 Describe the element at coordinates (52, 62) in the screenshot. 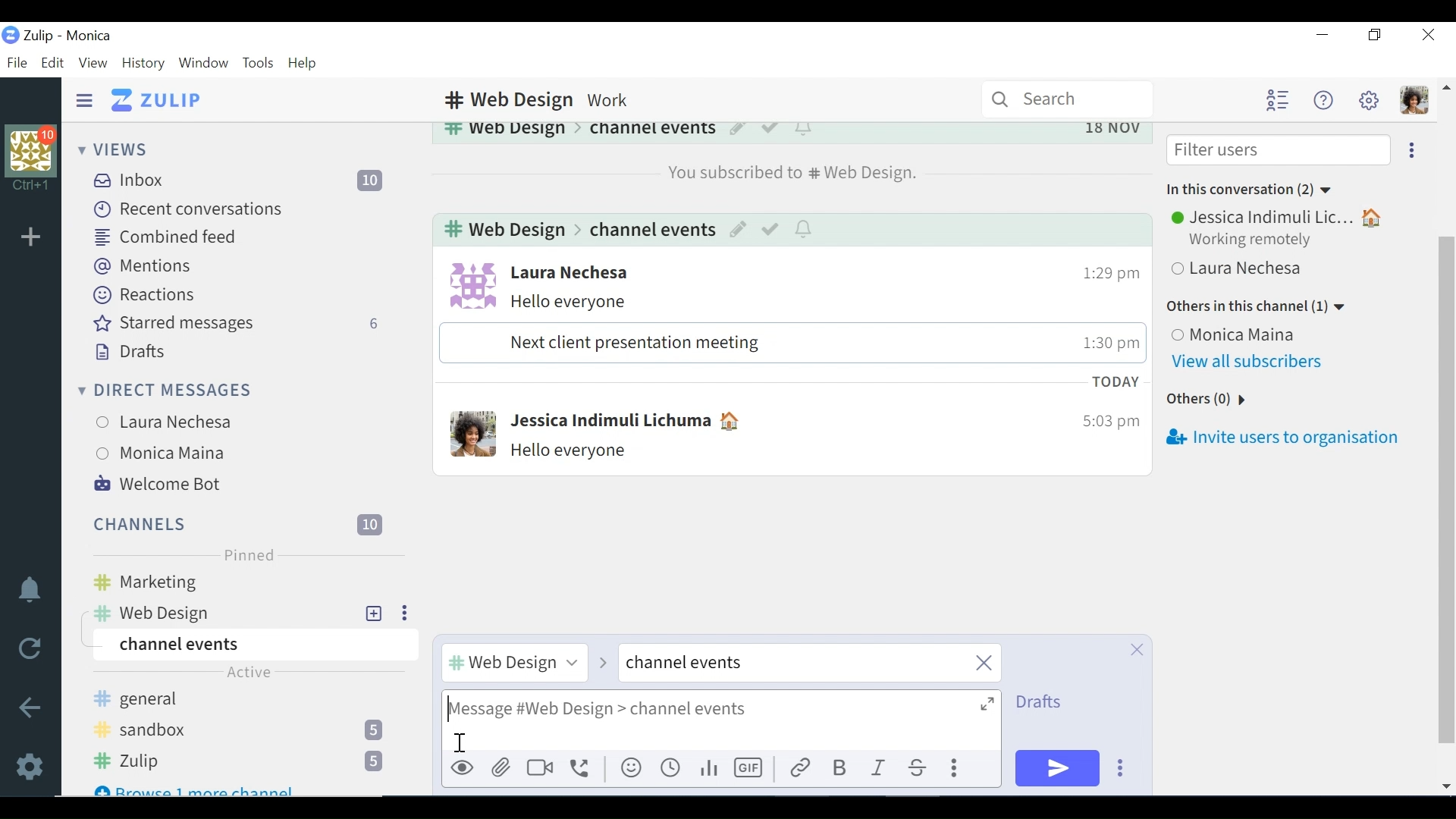

I see `Edit` at that location.